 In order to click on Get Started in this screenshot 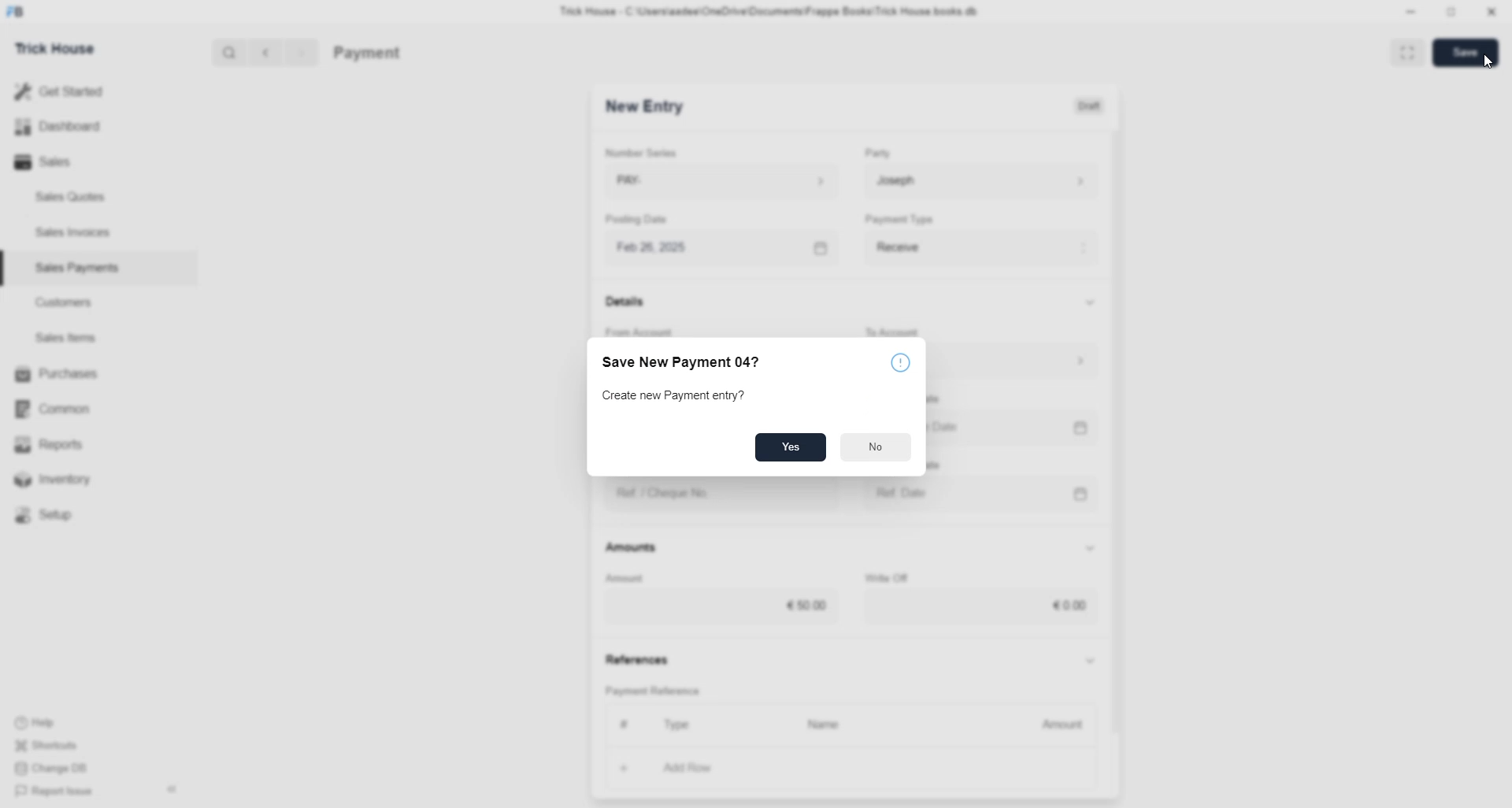, I will do `click(60, 92)`.